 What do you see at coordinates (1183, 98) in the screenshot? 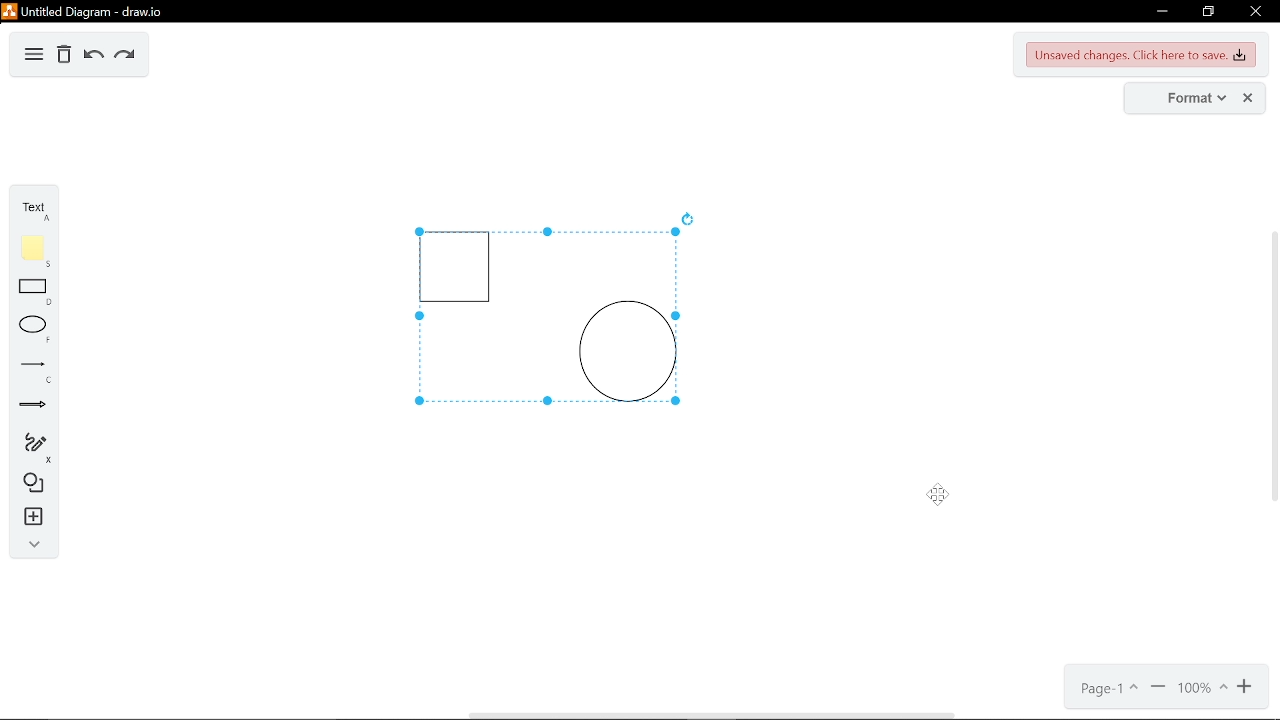
I see `format` at bounding box center [1183, 98].